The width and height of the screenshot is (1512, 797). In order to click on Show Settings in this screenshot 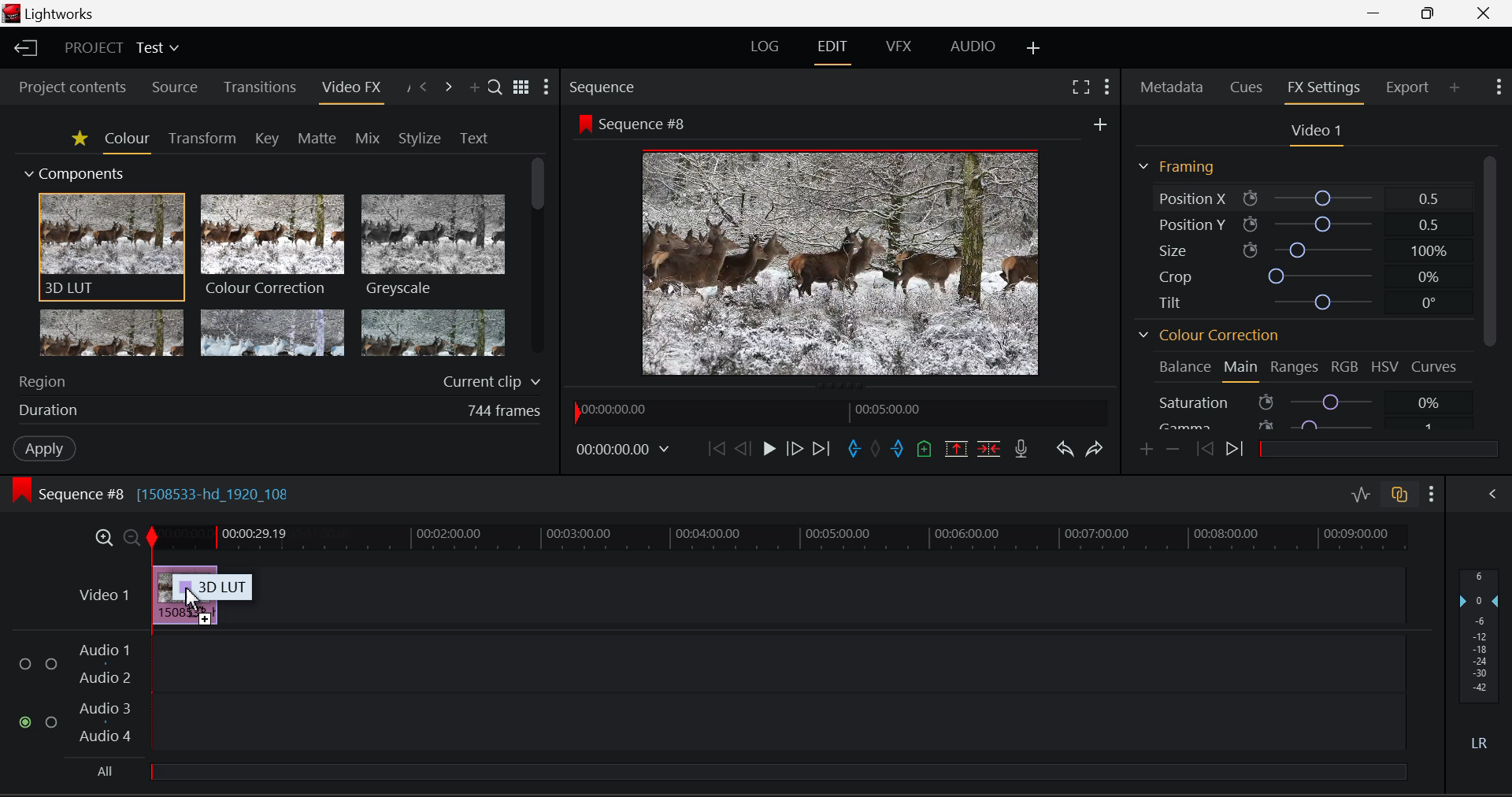, I will do `click(1106, 85)`.